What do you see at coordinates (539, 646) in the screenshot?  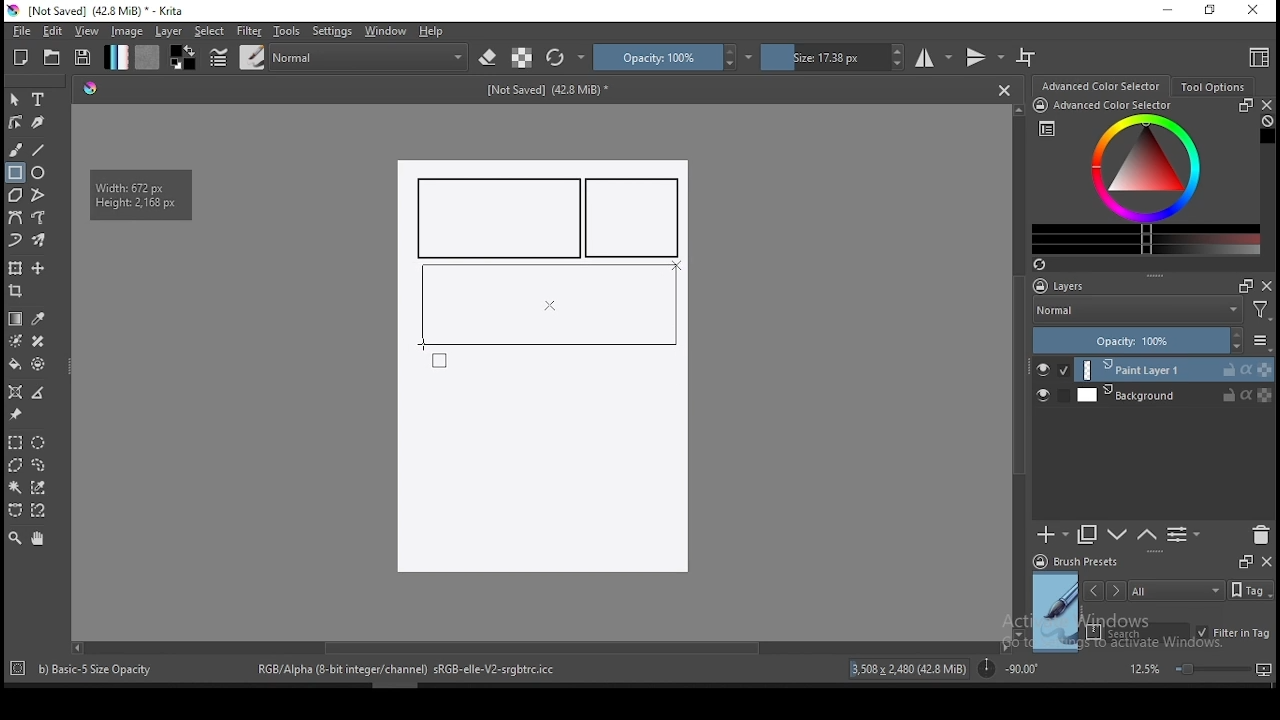 I see `scroll bar` at bounding box center [539, 646].